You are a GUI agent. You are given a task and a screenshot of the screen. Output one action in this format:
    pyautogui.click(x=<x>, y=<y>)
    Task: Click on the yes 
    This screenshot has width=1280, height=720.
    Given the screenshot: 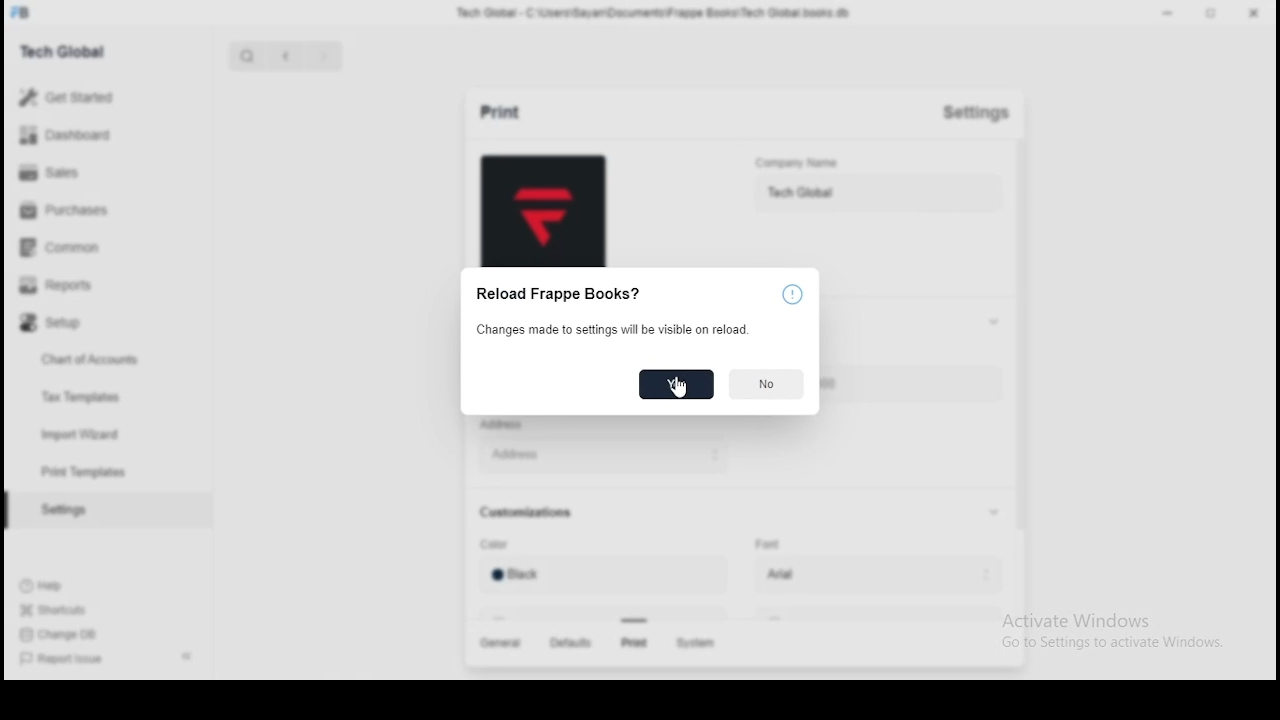 What is the action you would take?
    pyautogui.click(x=675, y=385)
    